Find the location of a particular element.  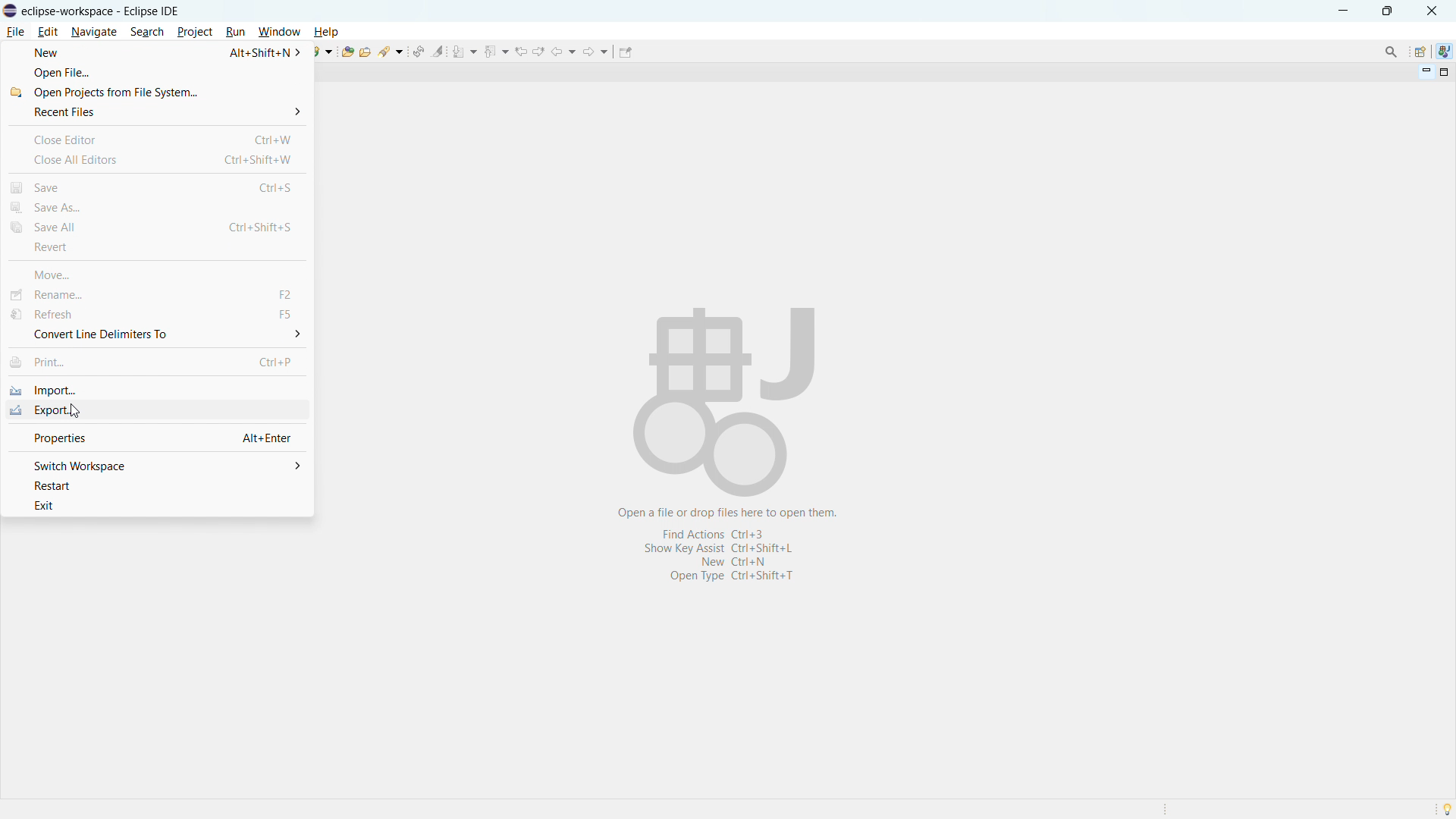

open perspective is located at coordinates (1419, 52).